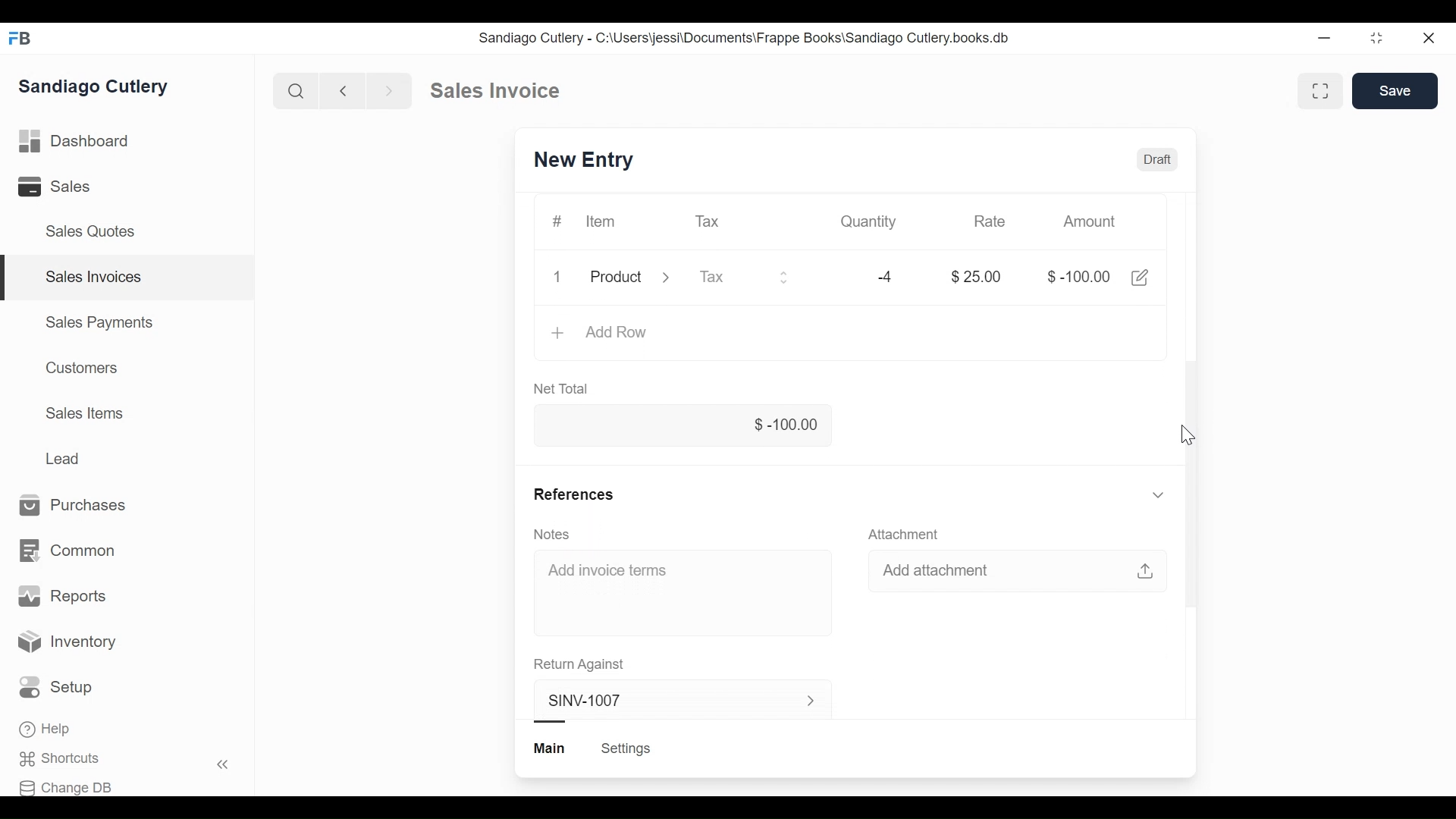 The width and height of the screenshot is (1456, 819). What do you see at coordinates (607, 570) in the screenshot?
I see `Add invoice terms` at bounding box center [607, 570].